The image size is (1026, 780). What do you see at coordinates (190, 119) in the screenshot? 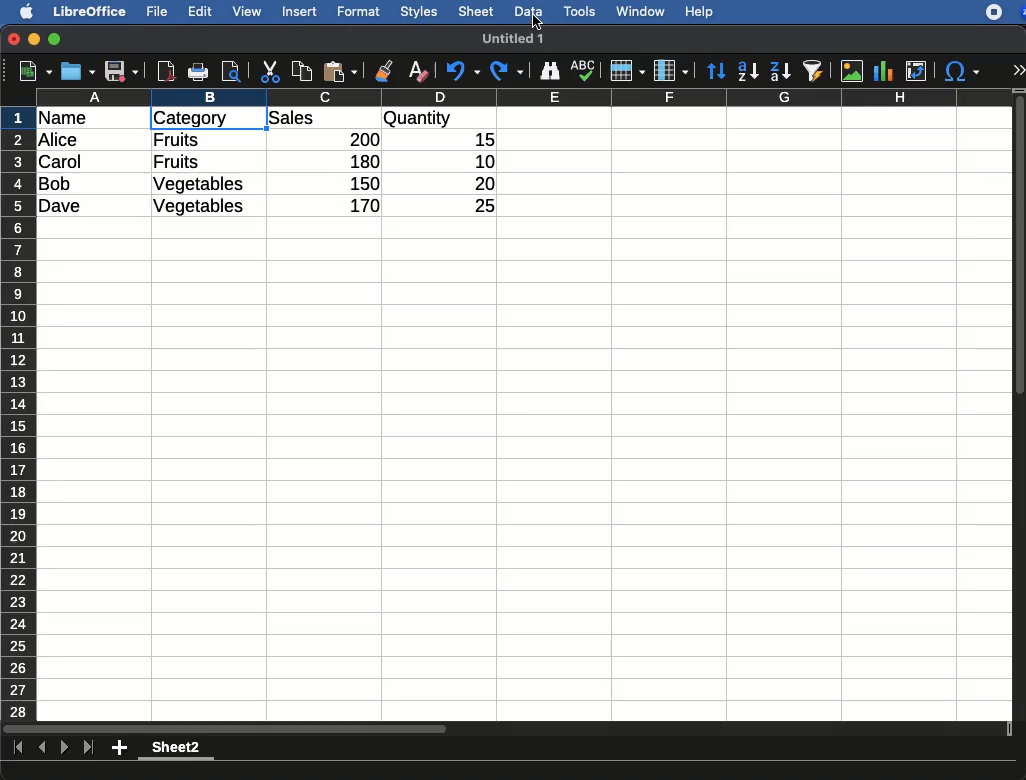
I see `category` at bounding box center [190, 119].